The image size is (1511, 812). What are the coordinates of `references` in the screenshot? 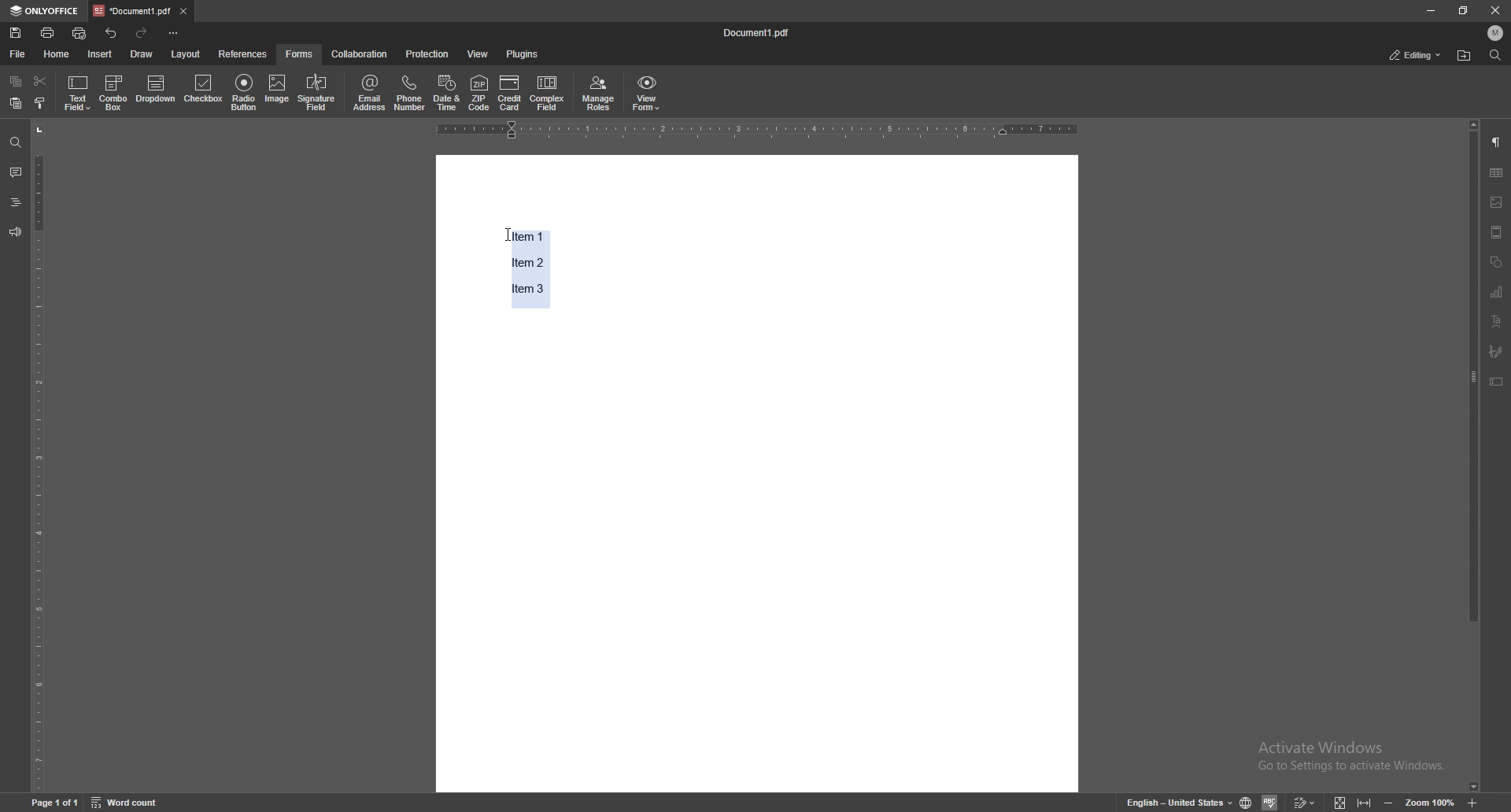 It's located at (243, 54).